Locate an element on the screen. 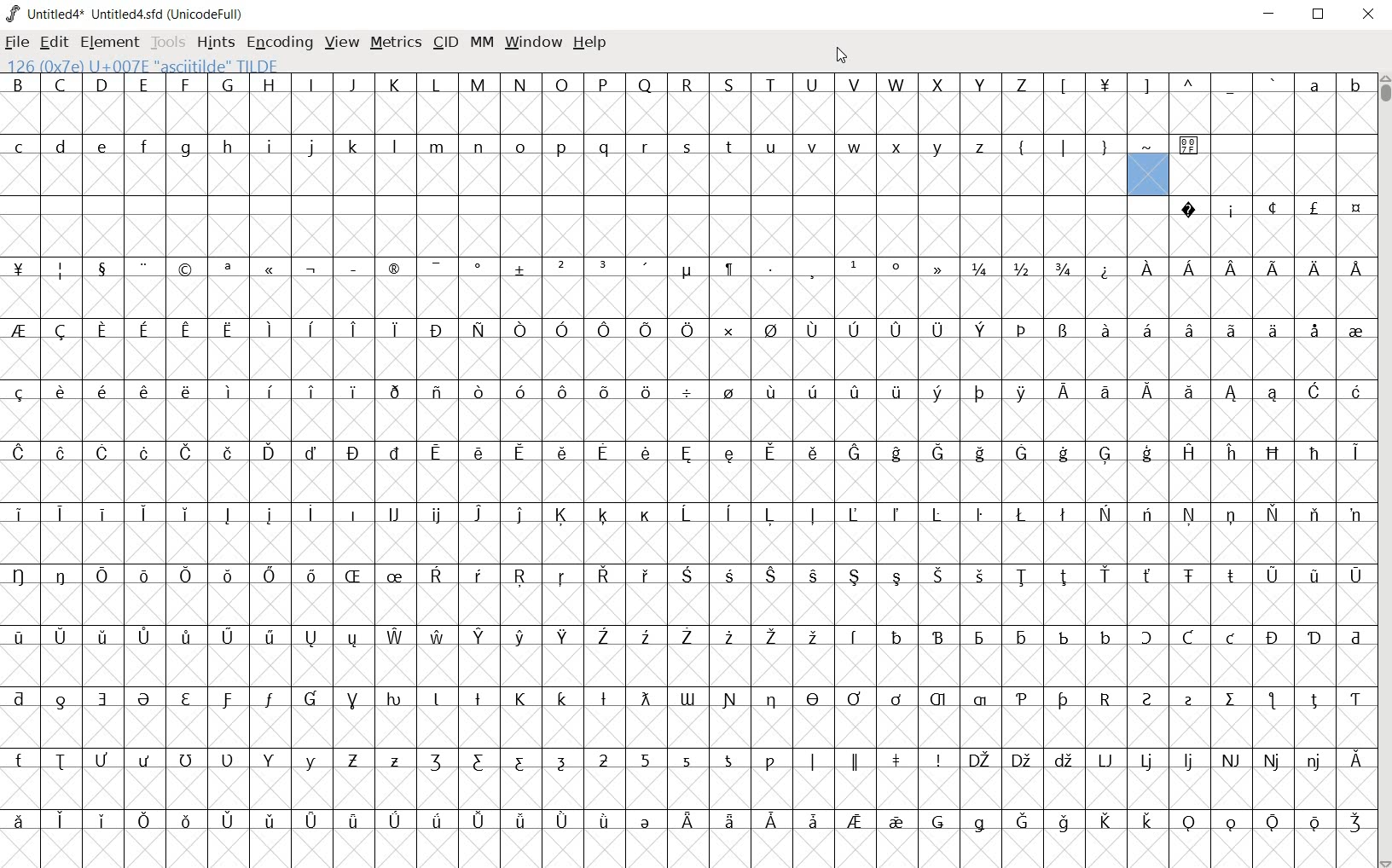 This screenshot has height=868, width=1392. EDIT is located at coordinates (52, 42).